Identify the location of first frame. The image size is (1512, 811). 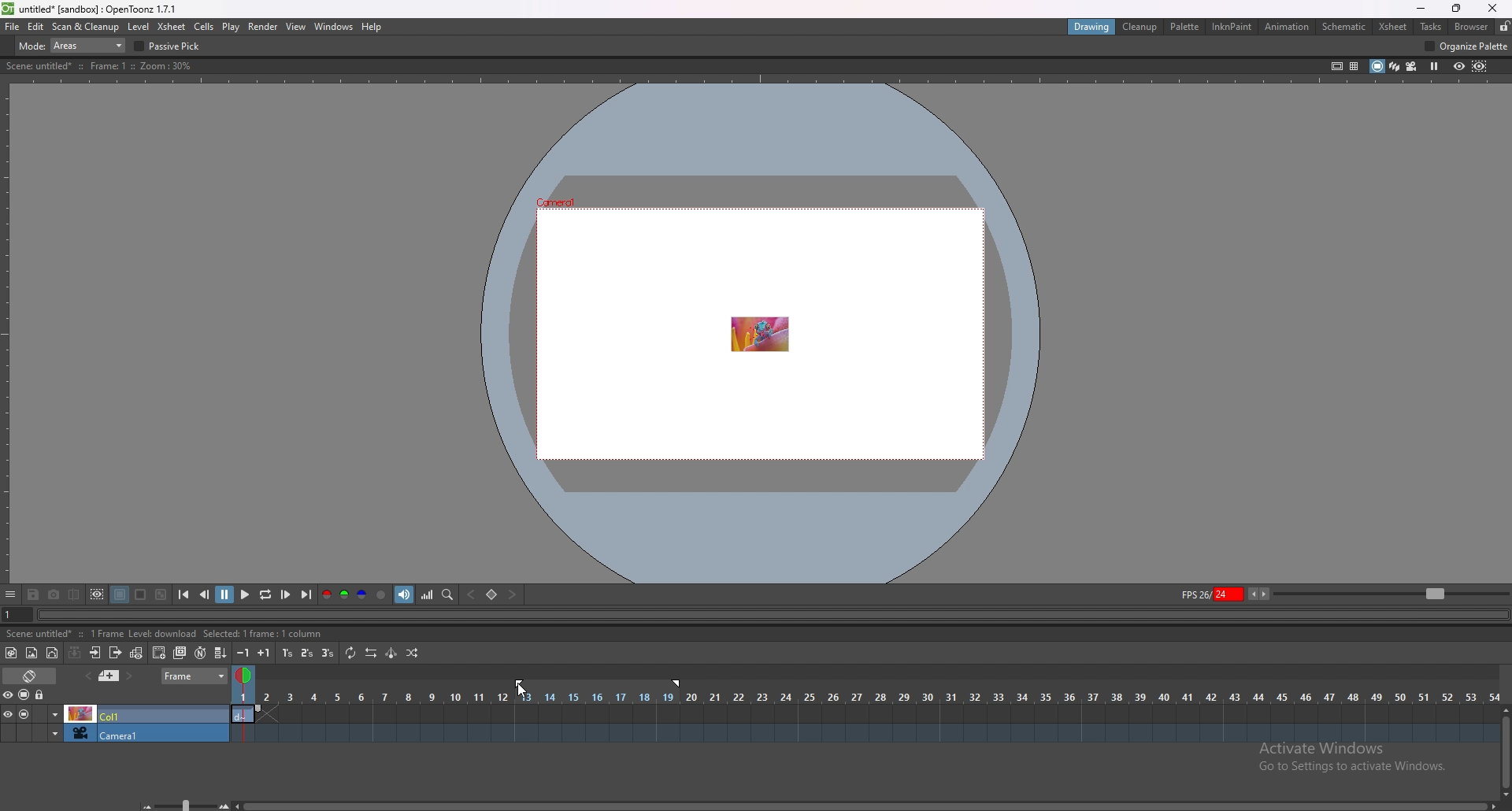
(184, 595).